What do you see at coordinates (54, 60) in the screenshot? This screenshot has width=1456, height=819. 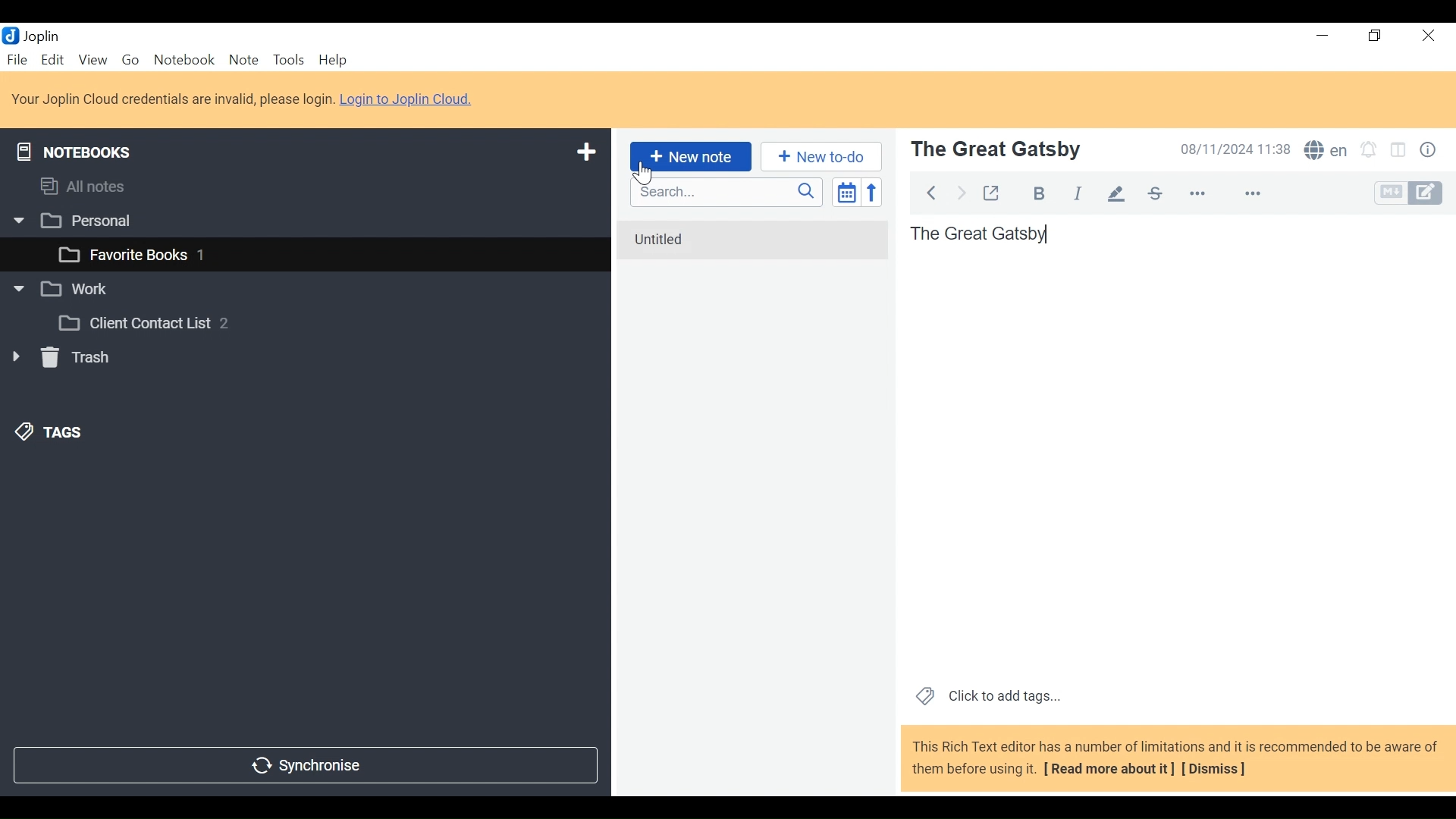 I see `` at bounding box center [54, 60].